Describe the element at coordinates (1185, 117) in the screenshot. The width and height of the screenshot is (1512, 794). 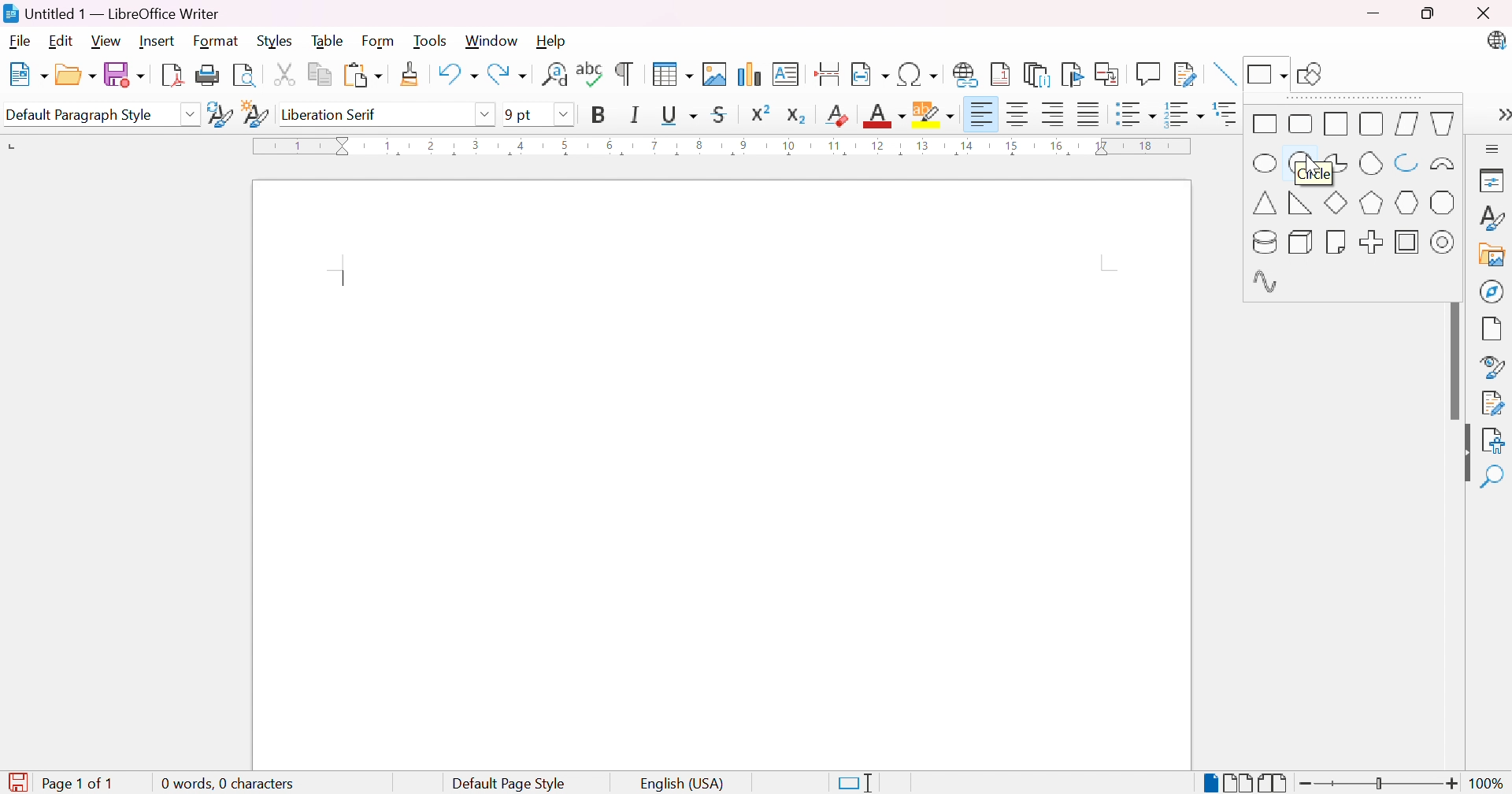
I see `Toggle ordered list` at that location.